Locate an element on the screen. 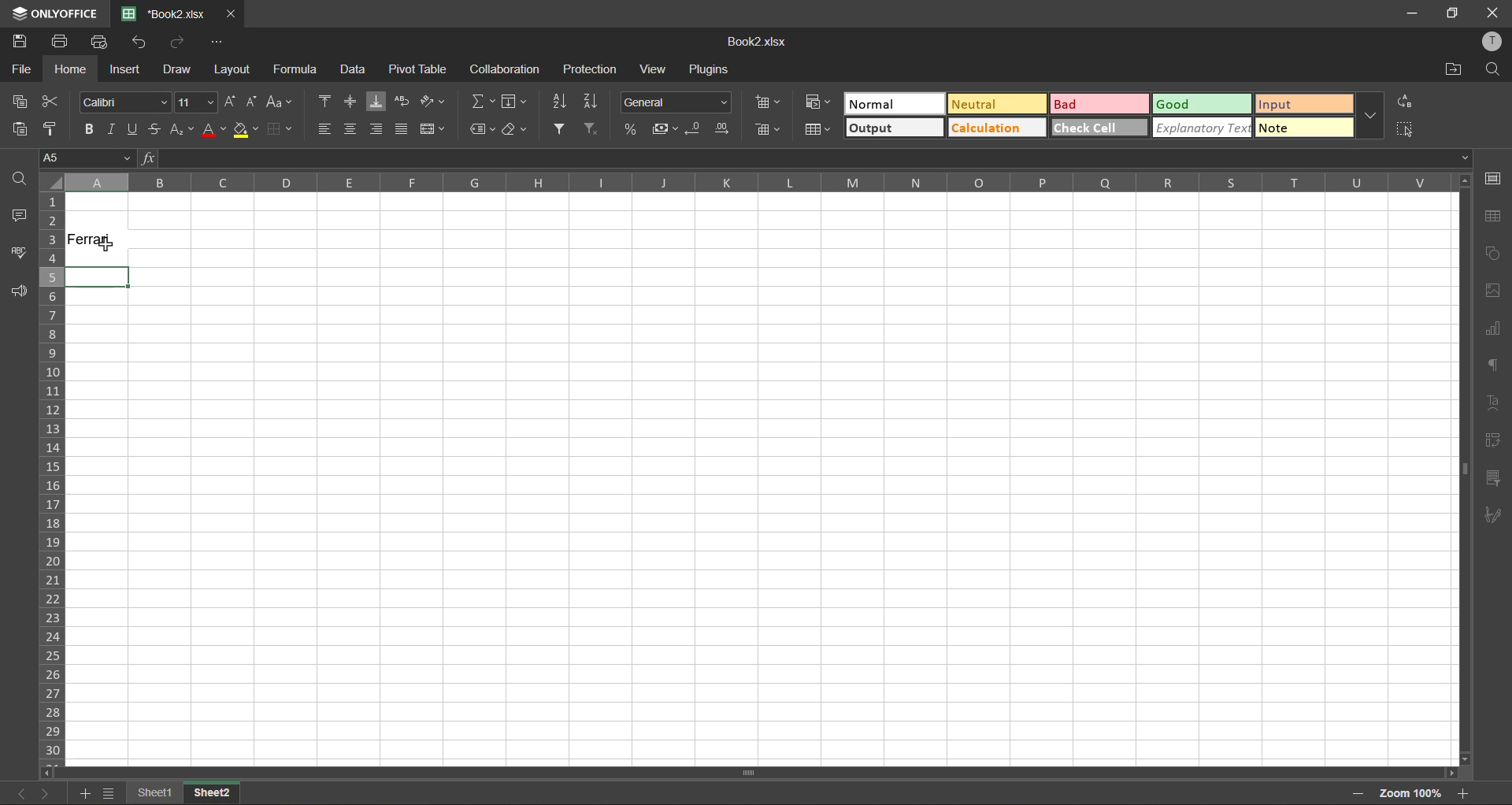  clear is located at coordinates (517, 129).